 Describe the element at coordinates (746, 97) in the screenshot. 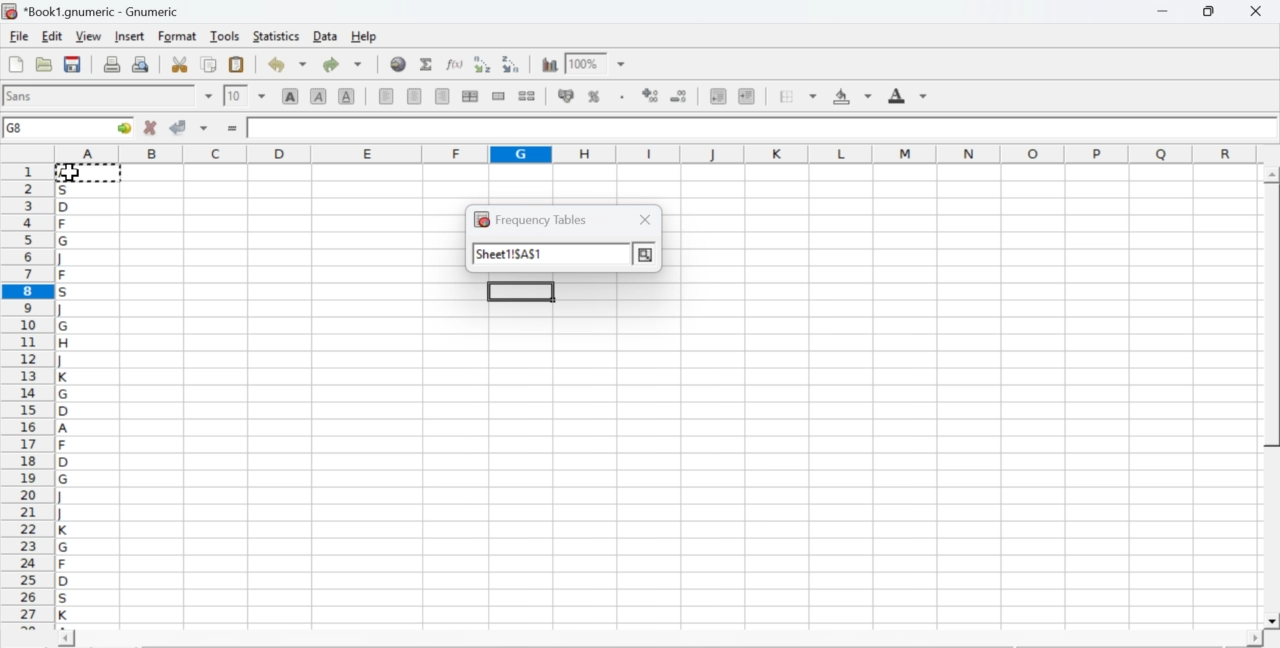

I see `increase indent` at that location.